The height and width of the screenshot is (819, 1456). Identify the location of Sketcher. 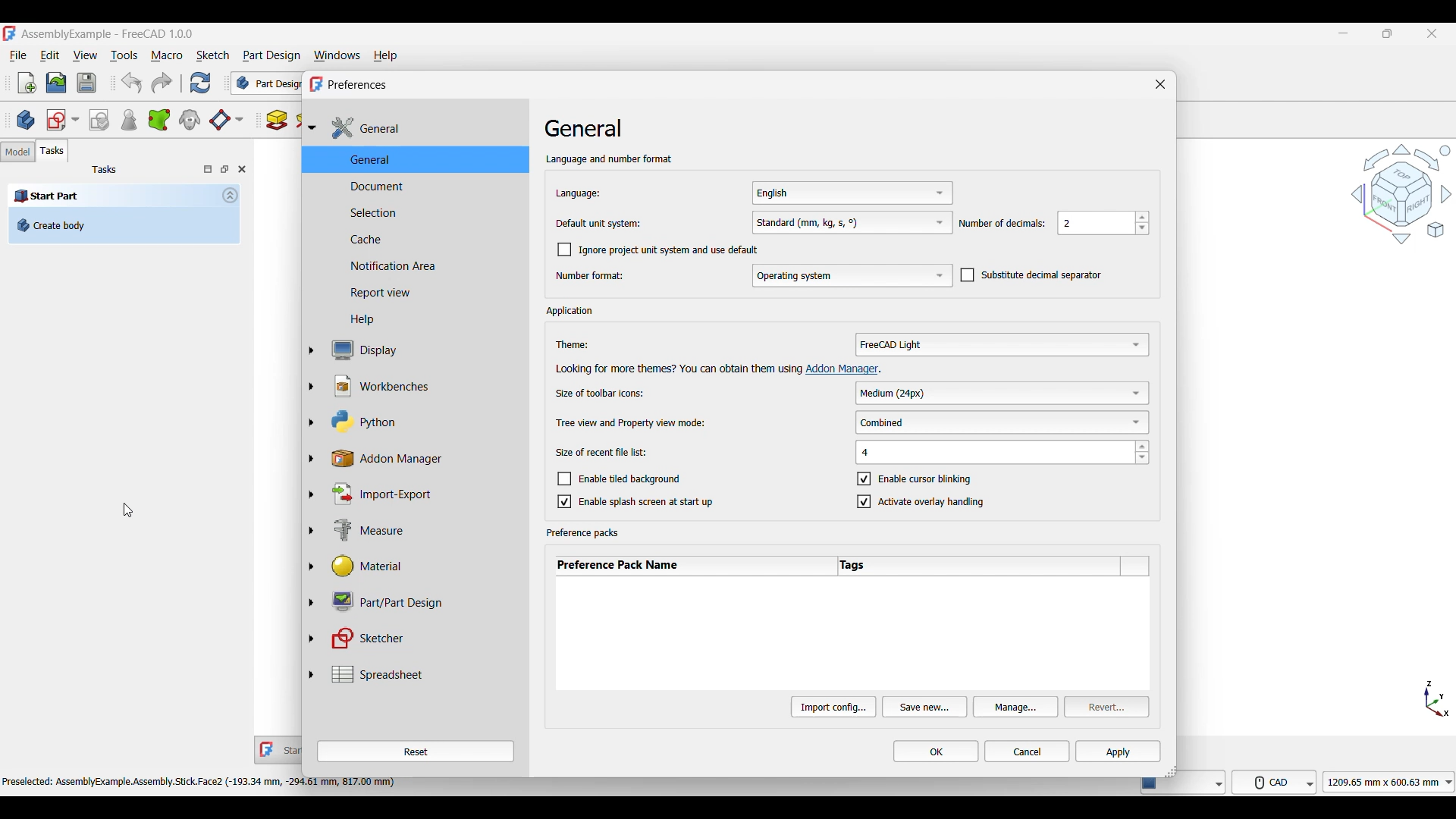
(422, 638).